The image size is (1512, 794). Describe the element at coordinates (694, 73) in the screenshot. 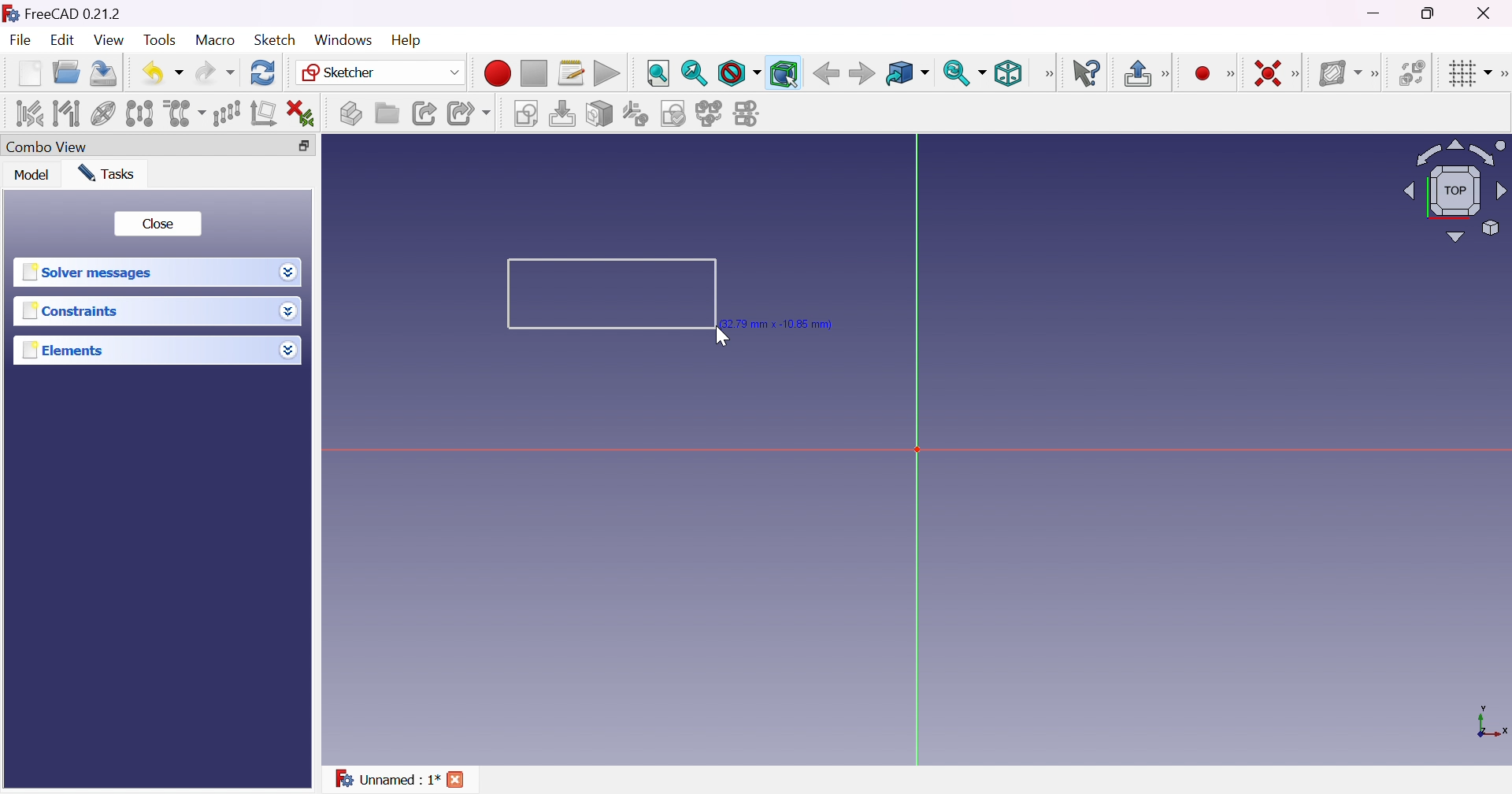

I see `Fit selection` at that location.